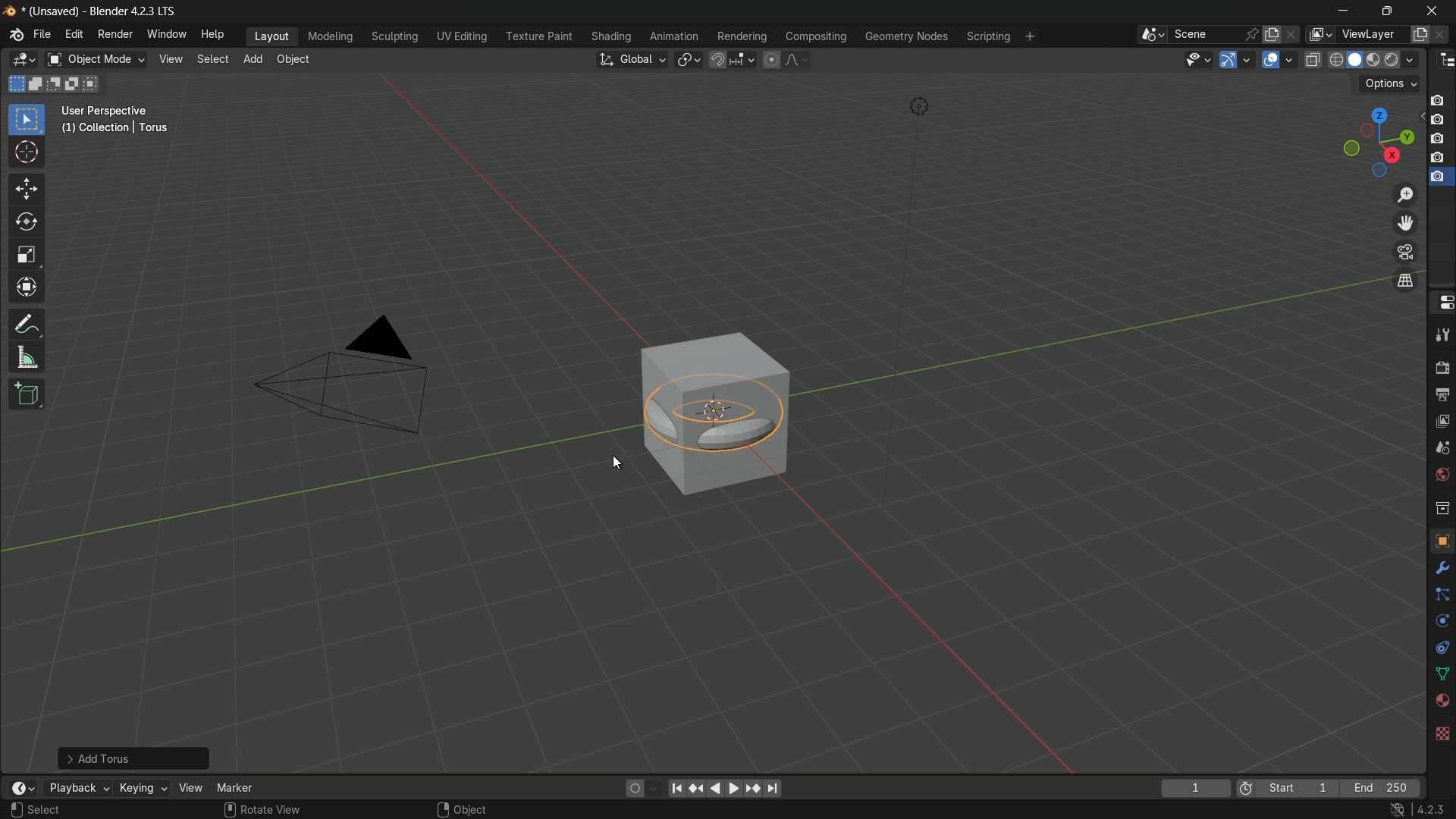 The height and width of the screenshot is (819, 1456). What do you see at coordinates (211, 59) in the screenshot?
I see `select` at bounding box center [211, 59].